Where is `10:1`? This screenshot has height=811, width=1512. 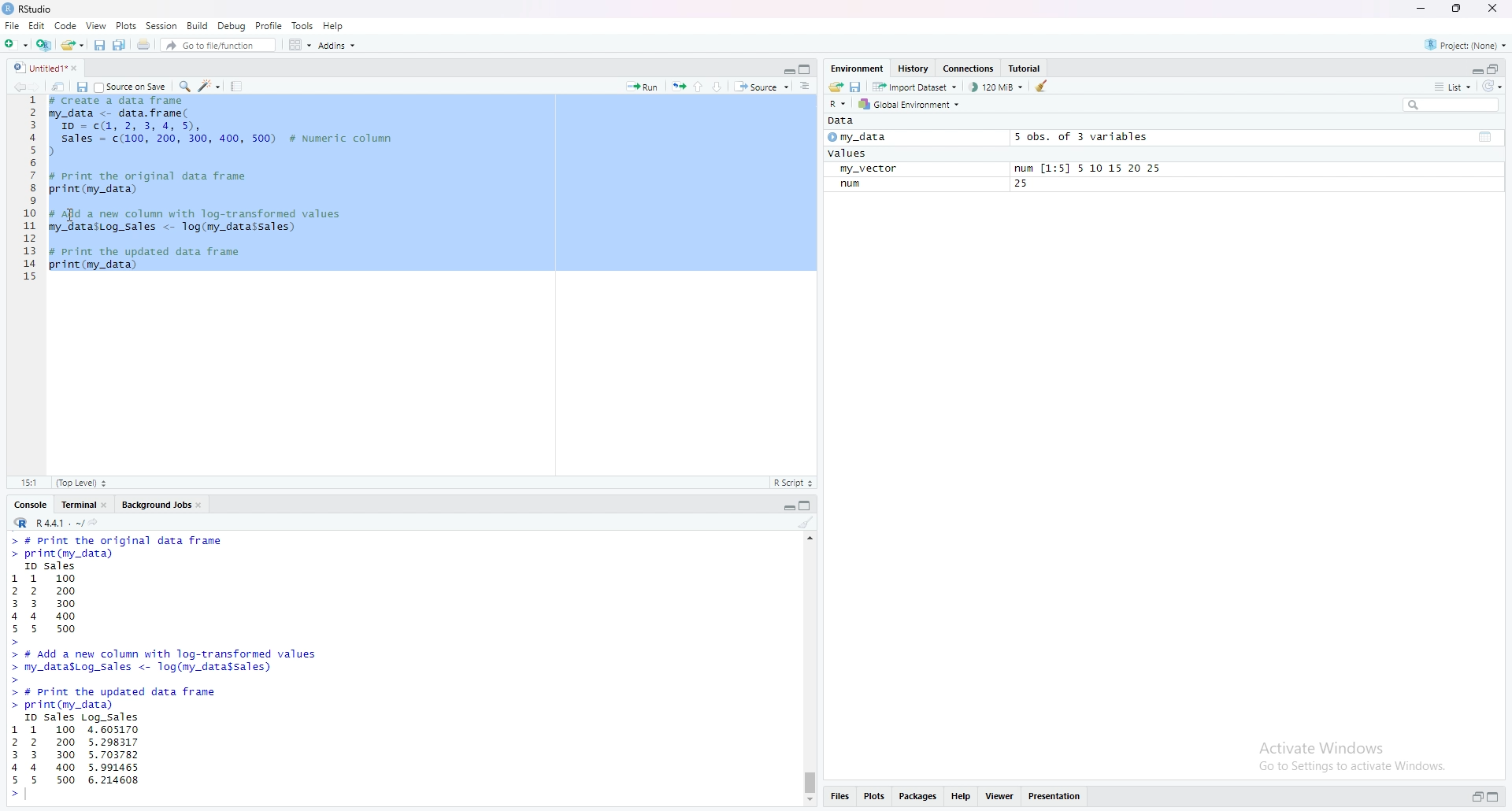 10:1 is located at coordinates (28, 483).